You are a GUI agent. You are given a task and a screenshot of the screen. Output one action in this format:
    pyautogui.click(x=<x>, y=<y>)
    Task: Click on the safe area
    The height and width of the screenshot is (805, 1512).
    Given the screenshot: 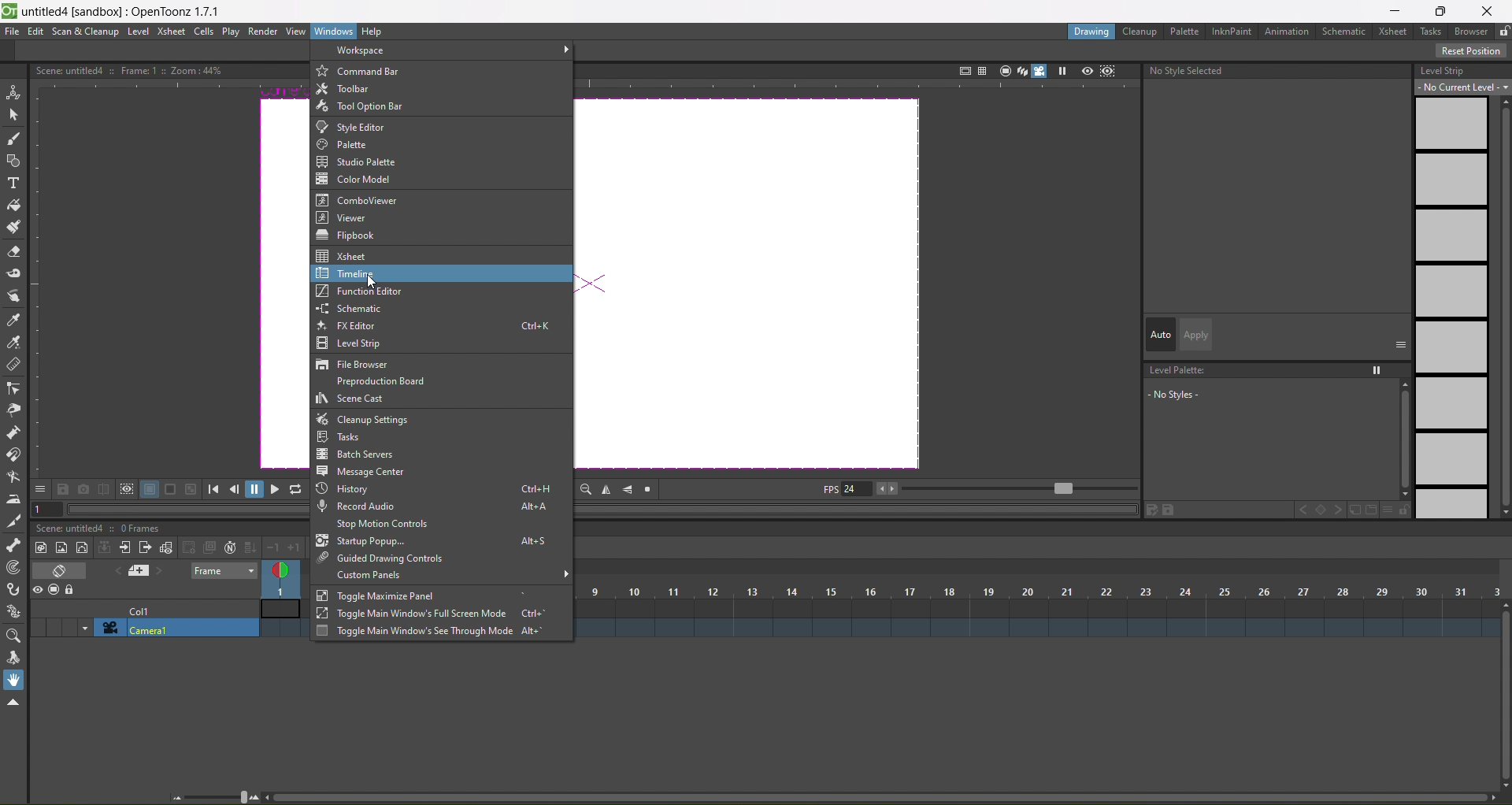 What is the action you would take?
    pyautogui.click(x=963, y=69)
    